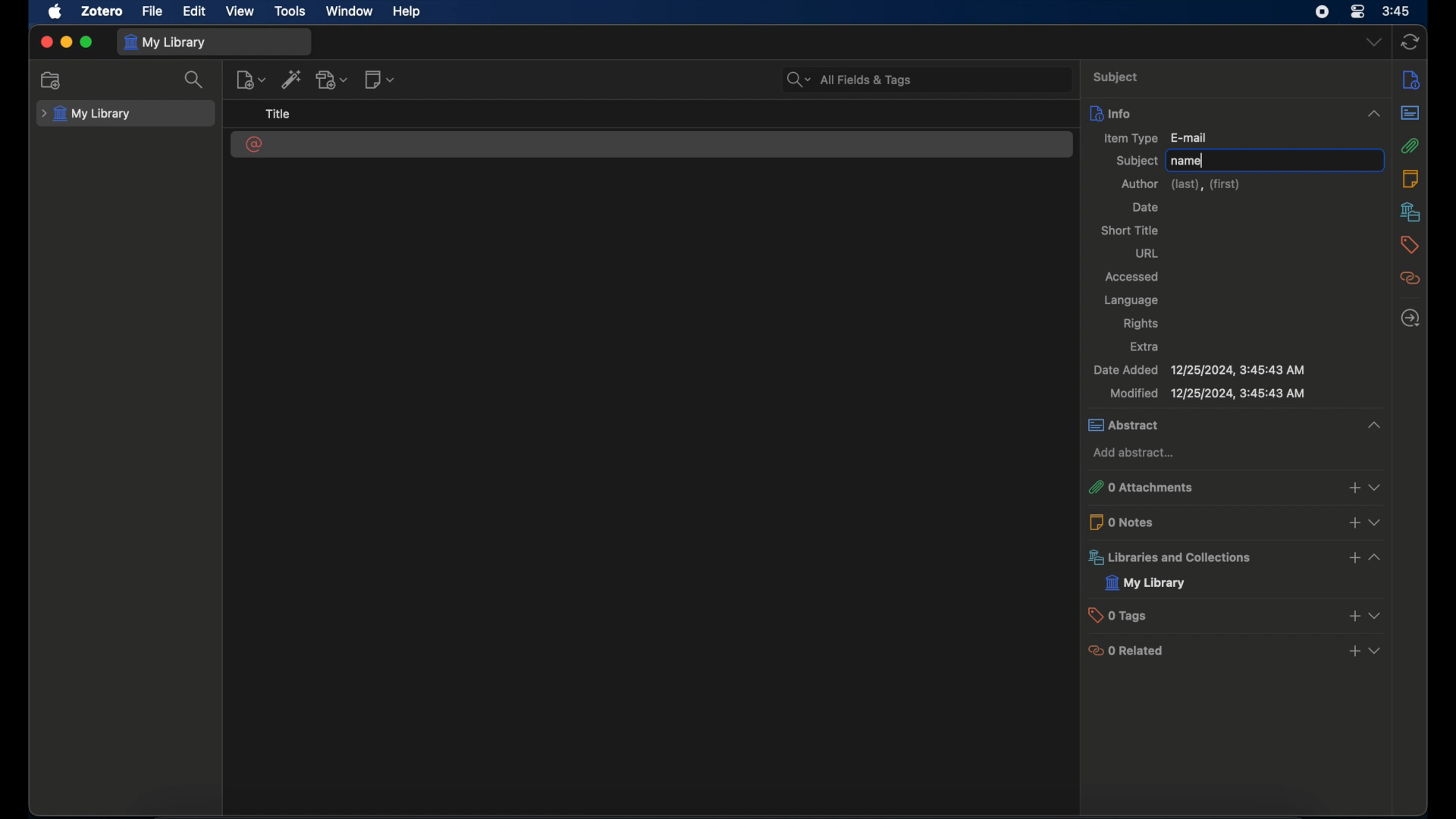 The image size is (1456, 819). I want to click on related, so click(1411, 278).